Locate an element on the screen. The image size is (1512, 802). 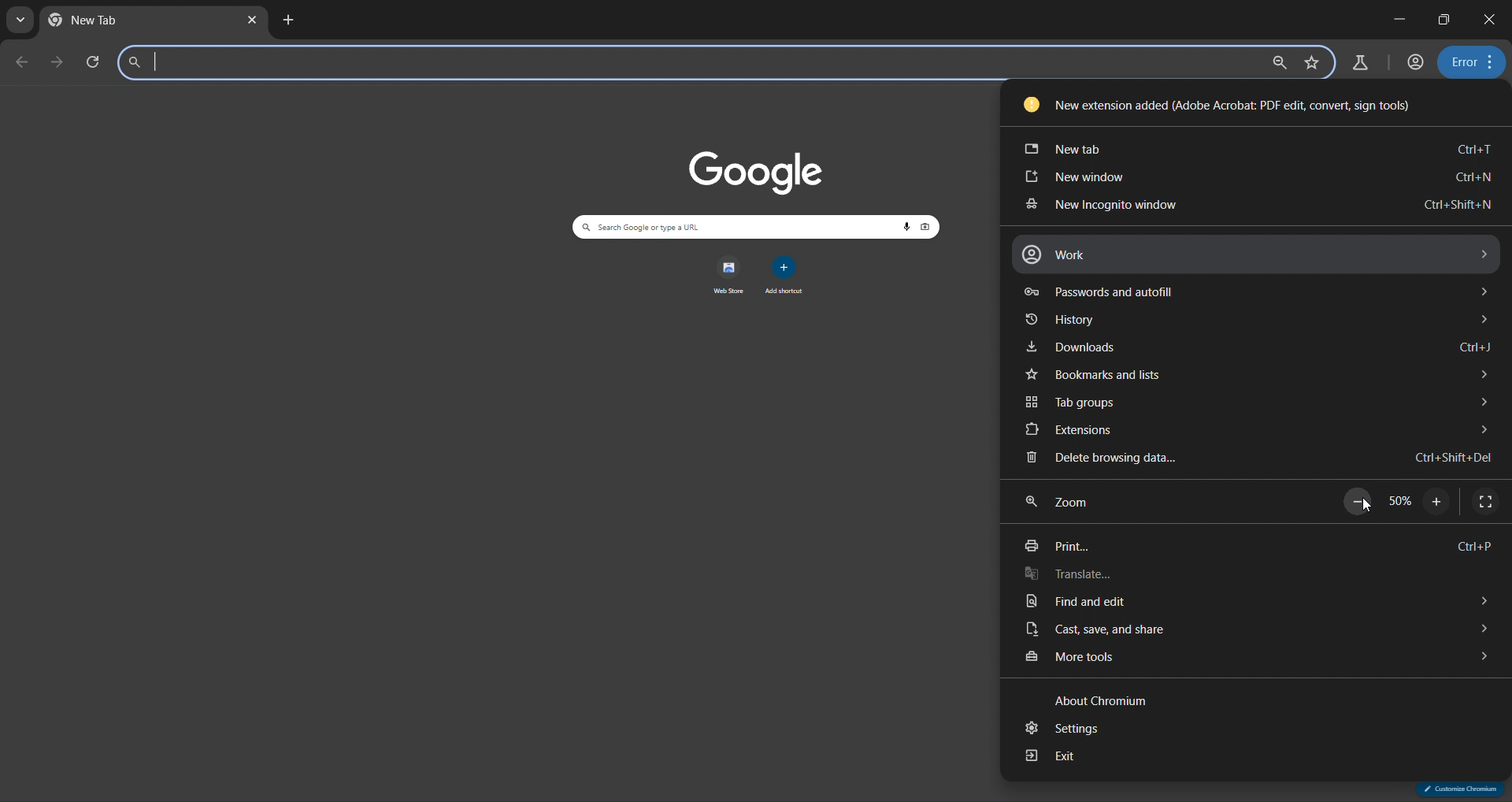
new window is located at coordinates (1261, 176).